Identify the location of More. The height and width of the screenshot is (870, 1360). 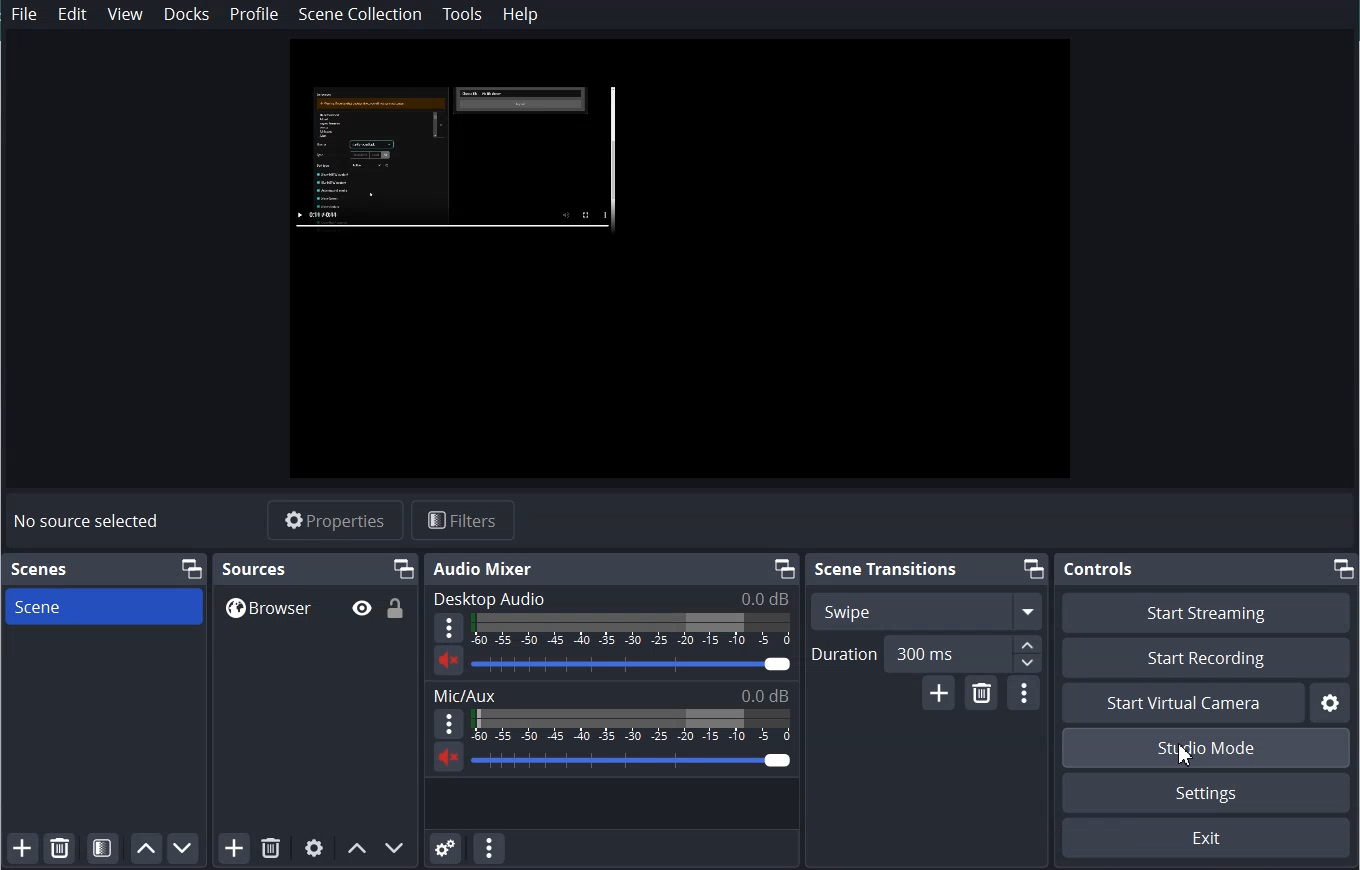
(449, 628).